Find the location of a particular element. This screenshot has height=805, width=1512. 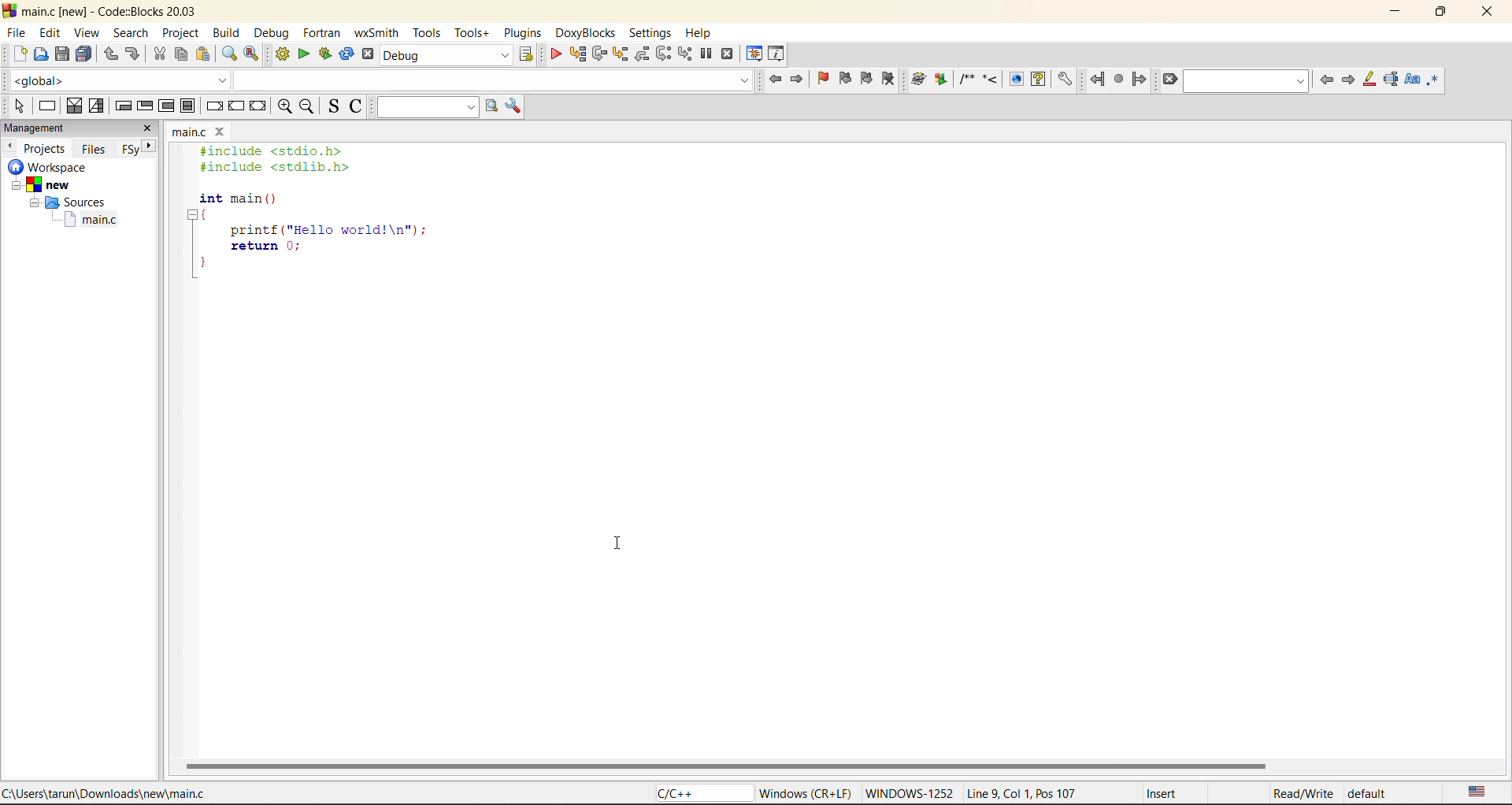

maximize is located at coordinates (1445, 14).